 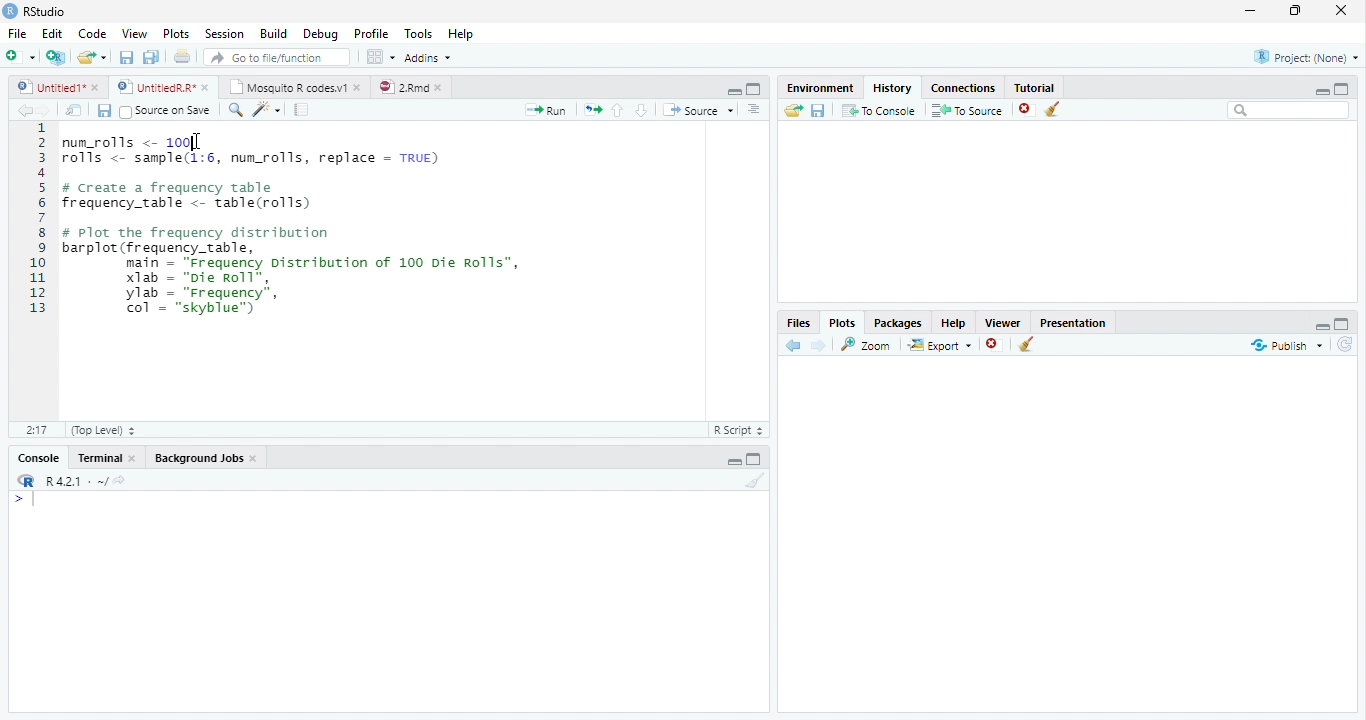 What do you see at coordinates (1344, 345) in the screenshot?
I see `Refresh List` at bounding box center [1344, 345].